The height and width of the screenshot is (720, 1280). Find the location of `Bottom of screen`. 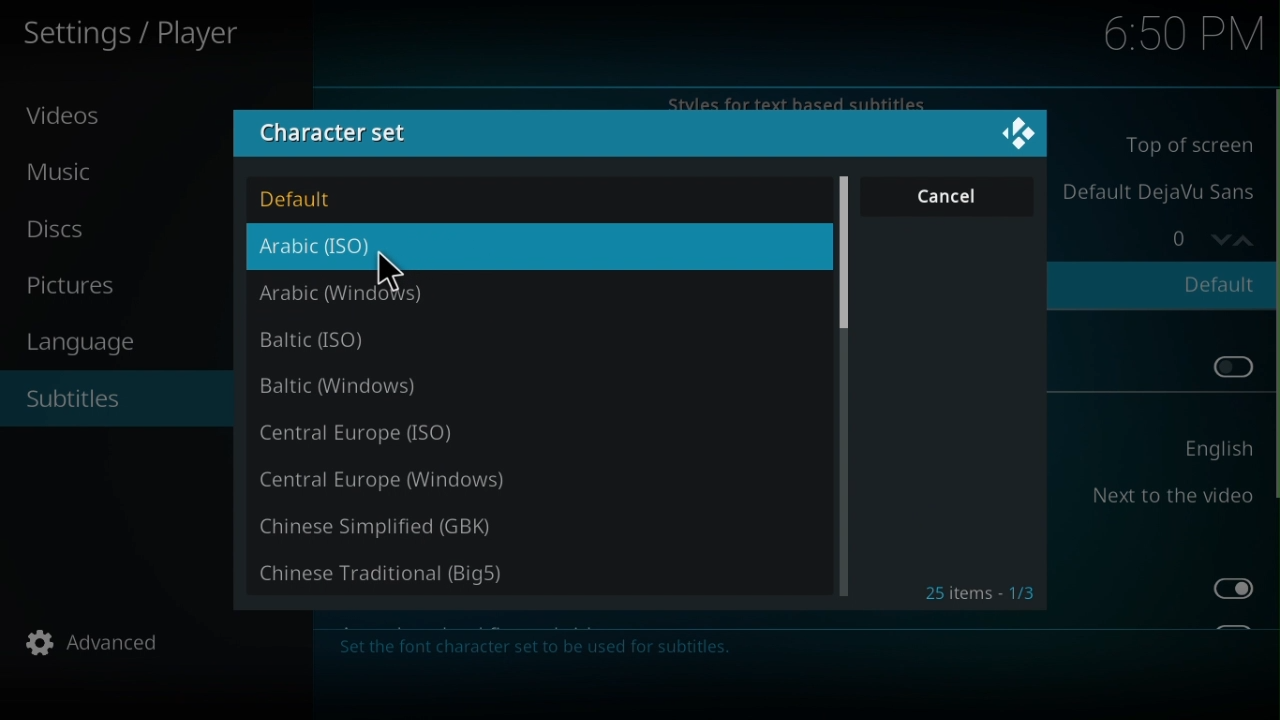

Bottom of screen is located at coordinates (1163, 146).